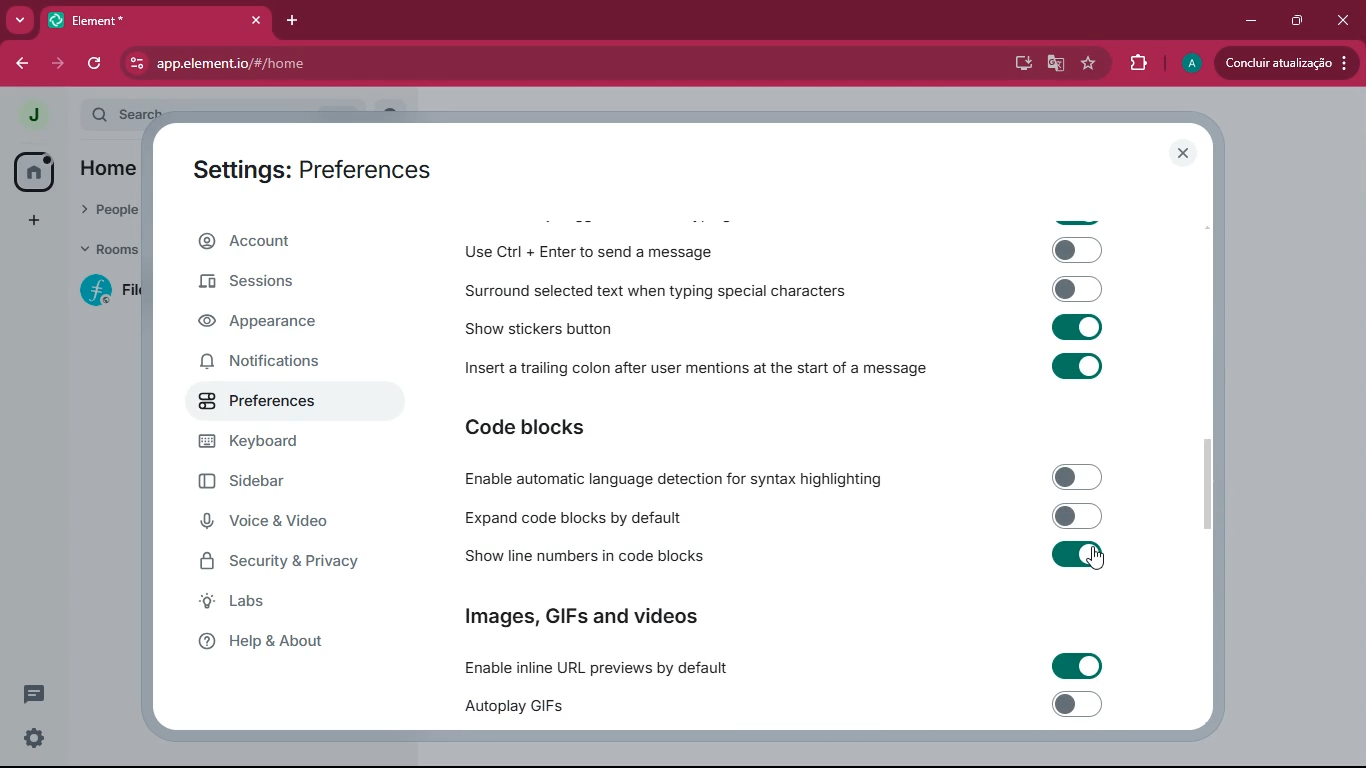 The height and width of the screenshot is (768, 1366). Describe the element at coordinates (281, 524) in the screenshot. I see `voice & video` at that location.